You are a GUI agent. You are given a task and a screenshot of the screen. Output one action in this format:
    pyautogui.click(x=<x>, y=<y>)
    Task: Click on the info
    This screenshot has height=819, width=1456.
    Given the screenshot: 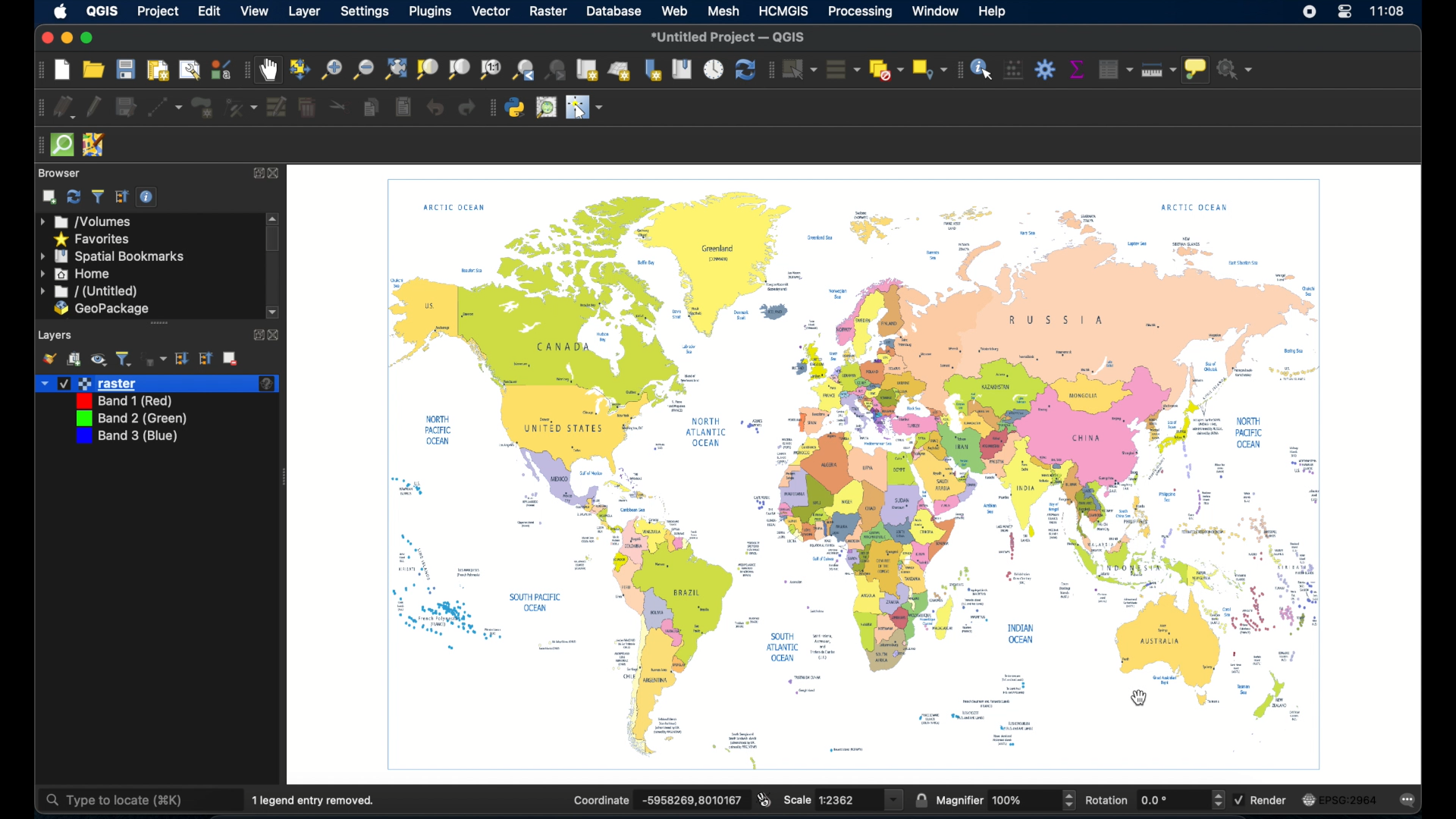 What is the action you would take?
    pyautogui.click(x=267, y=384)
    